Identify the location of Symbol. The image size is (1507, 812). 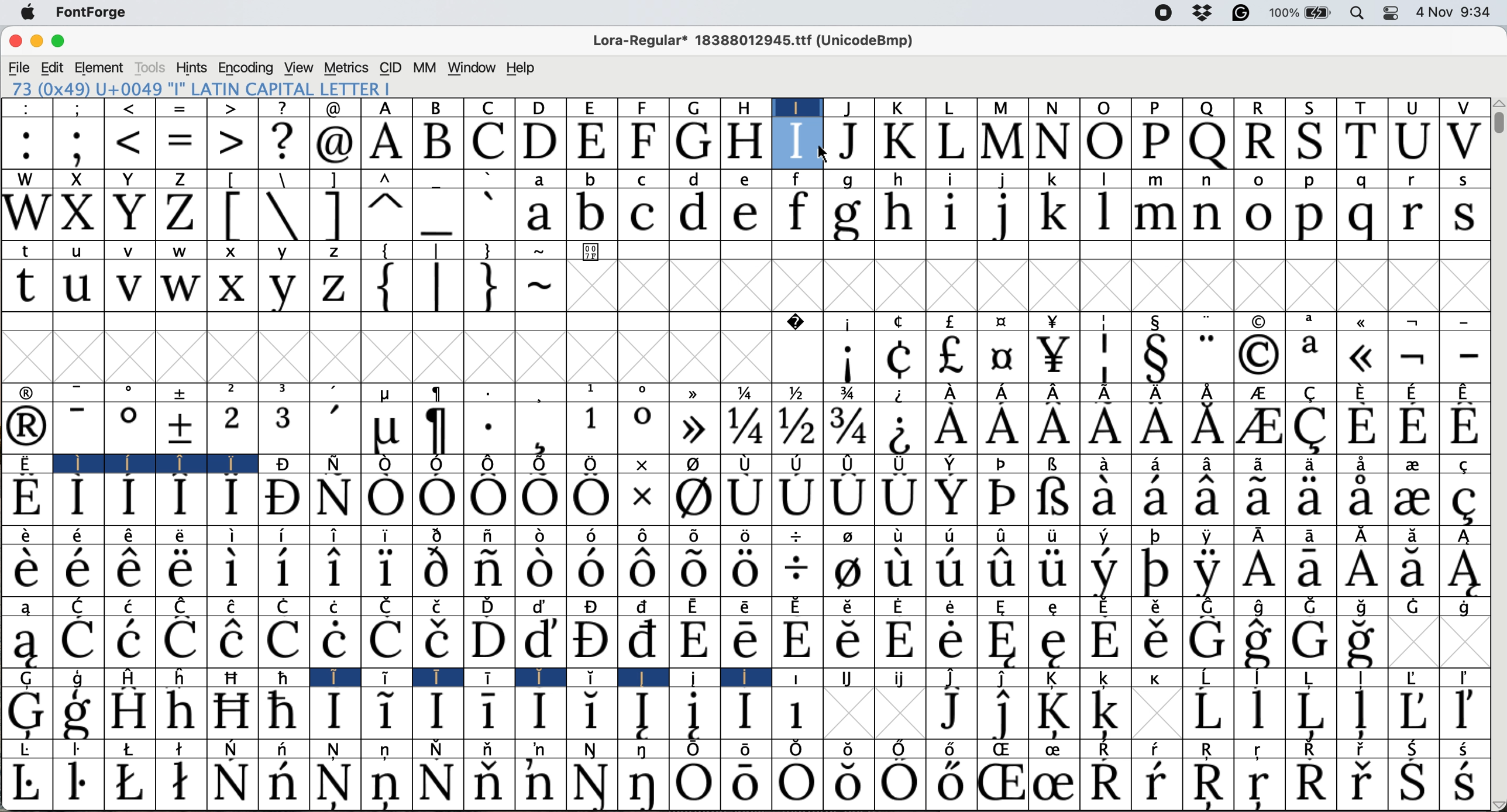
(796, 428).